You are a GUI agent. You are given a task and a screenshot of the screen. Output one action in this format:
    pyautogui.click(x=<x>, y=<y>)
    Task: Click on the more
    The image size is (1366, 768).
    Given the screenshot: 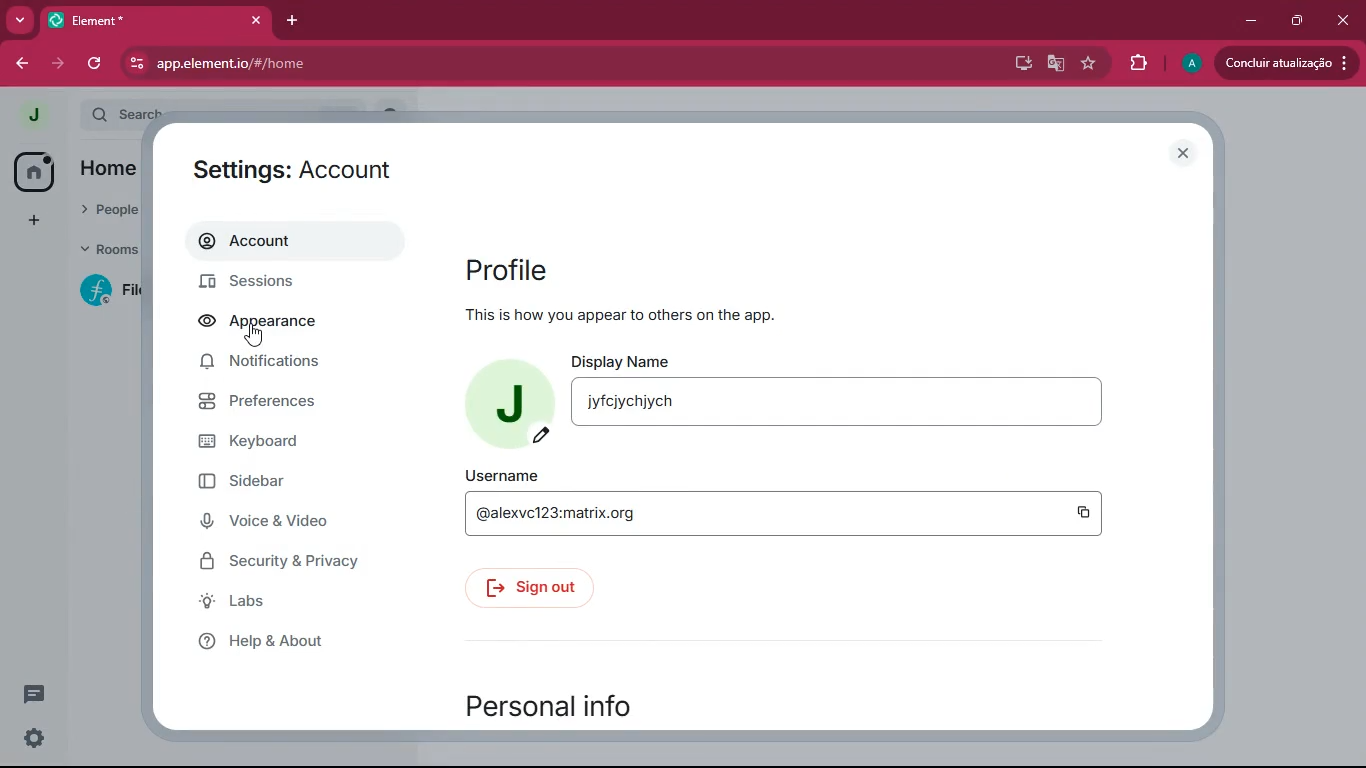 What is the action you would take?
    pyautogui.click(x=19, y=19)
    